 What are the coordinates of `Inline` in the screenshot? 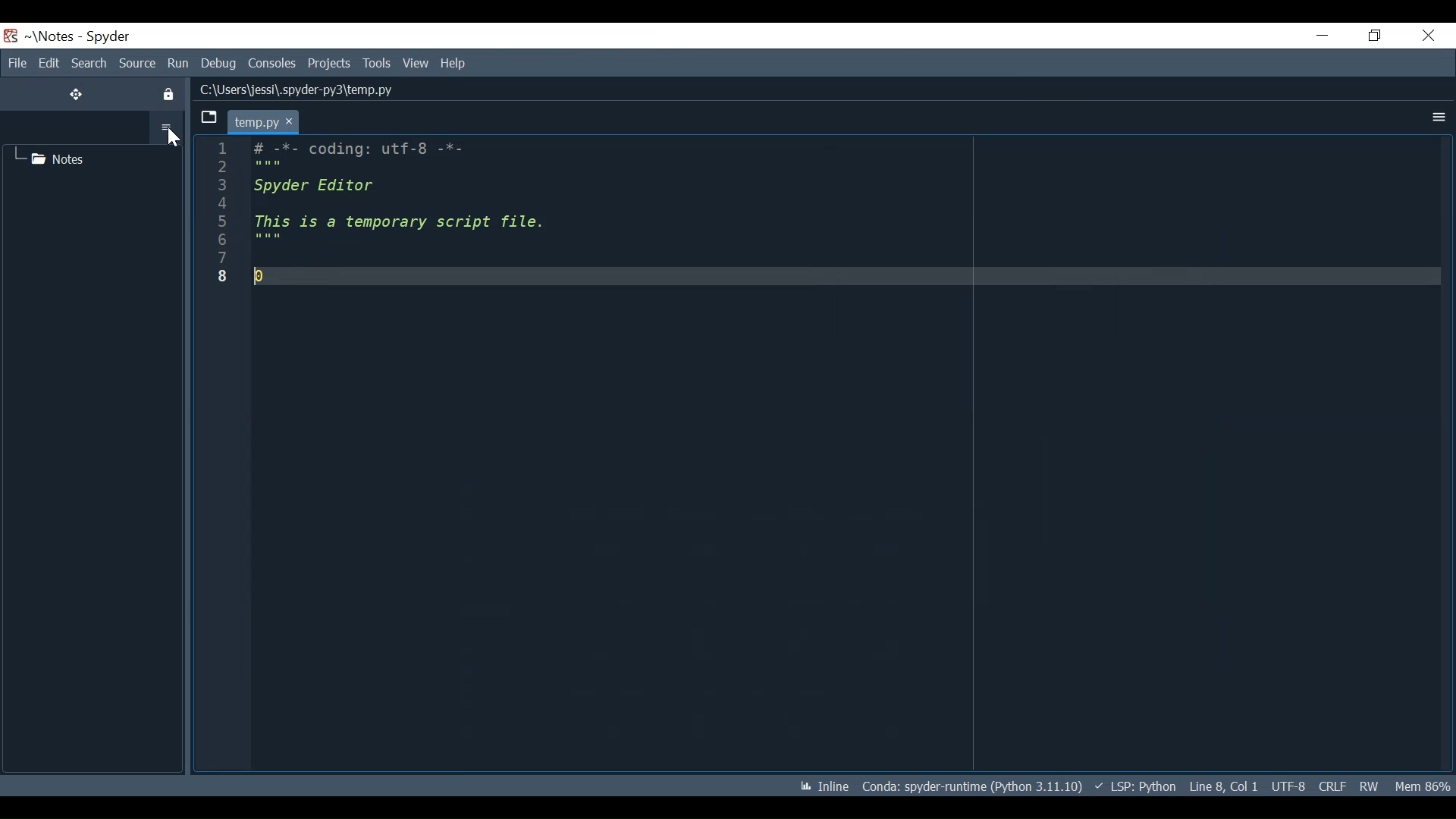 It's located at (812, 786).